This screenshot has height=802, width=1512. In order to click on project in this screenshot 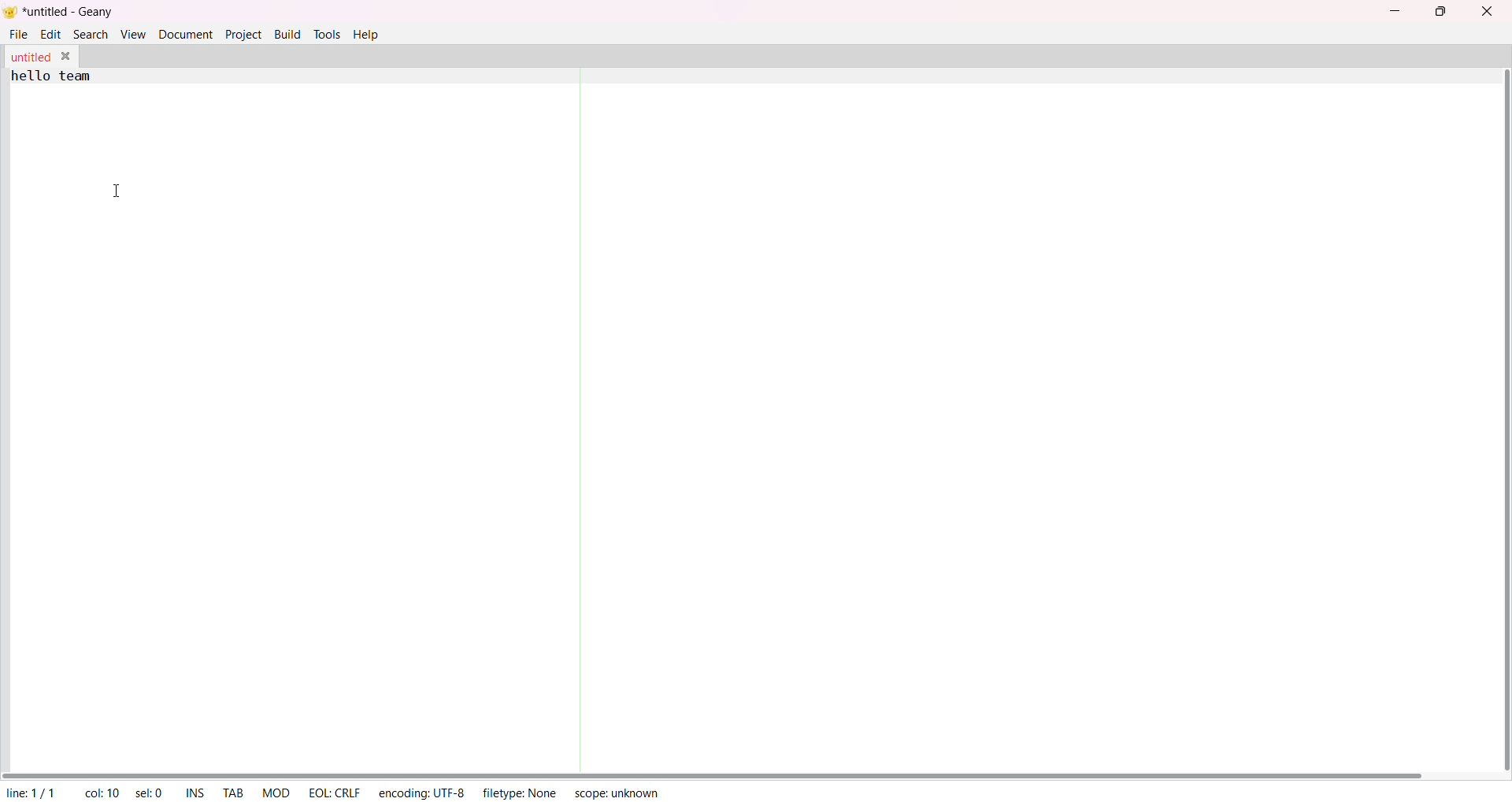, I will do `click(241, 34)`.